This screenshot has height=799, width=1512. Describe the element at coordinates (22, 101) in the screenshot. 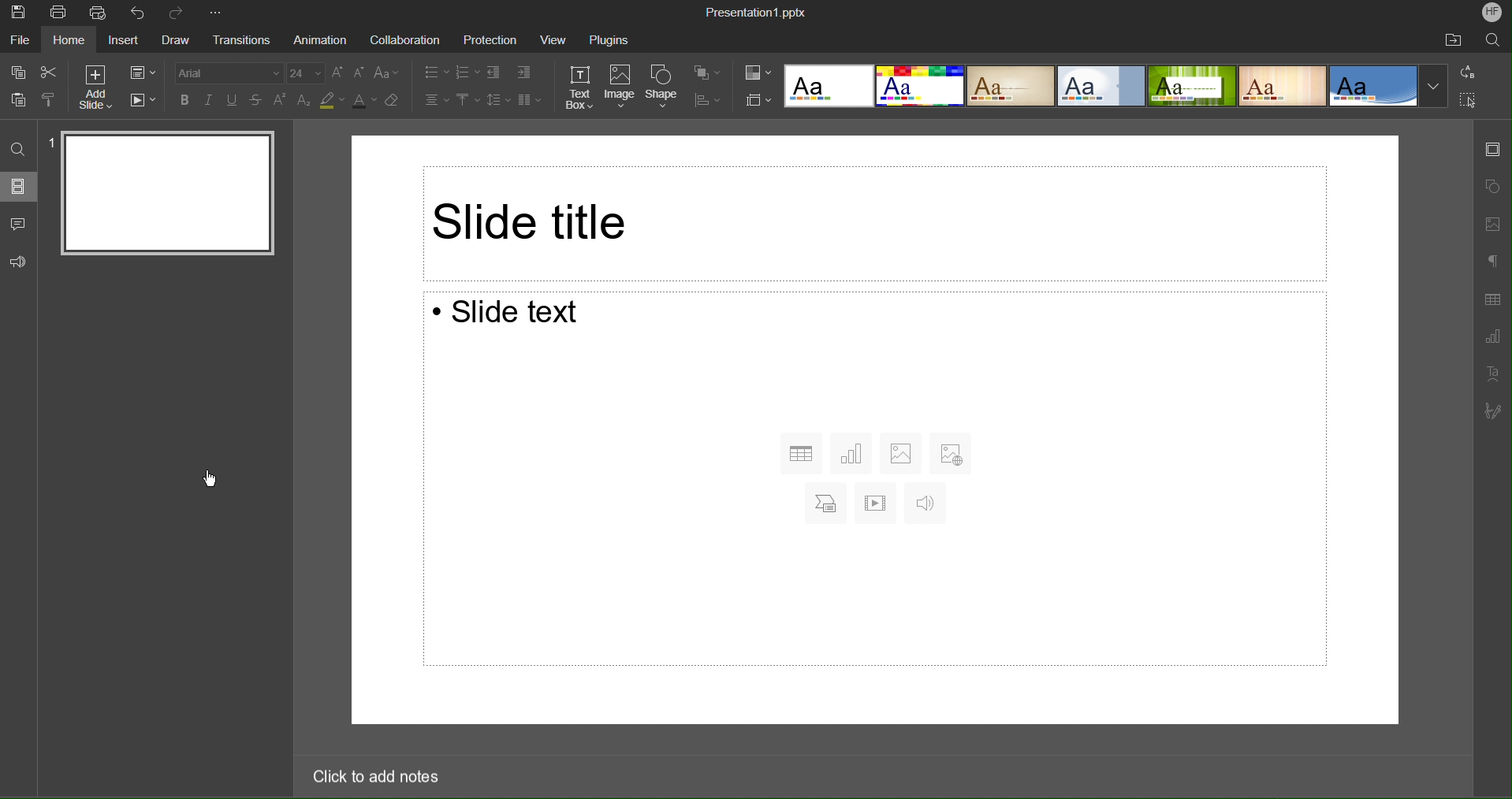

I see `paste` at that location.